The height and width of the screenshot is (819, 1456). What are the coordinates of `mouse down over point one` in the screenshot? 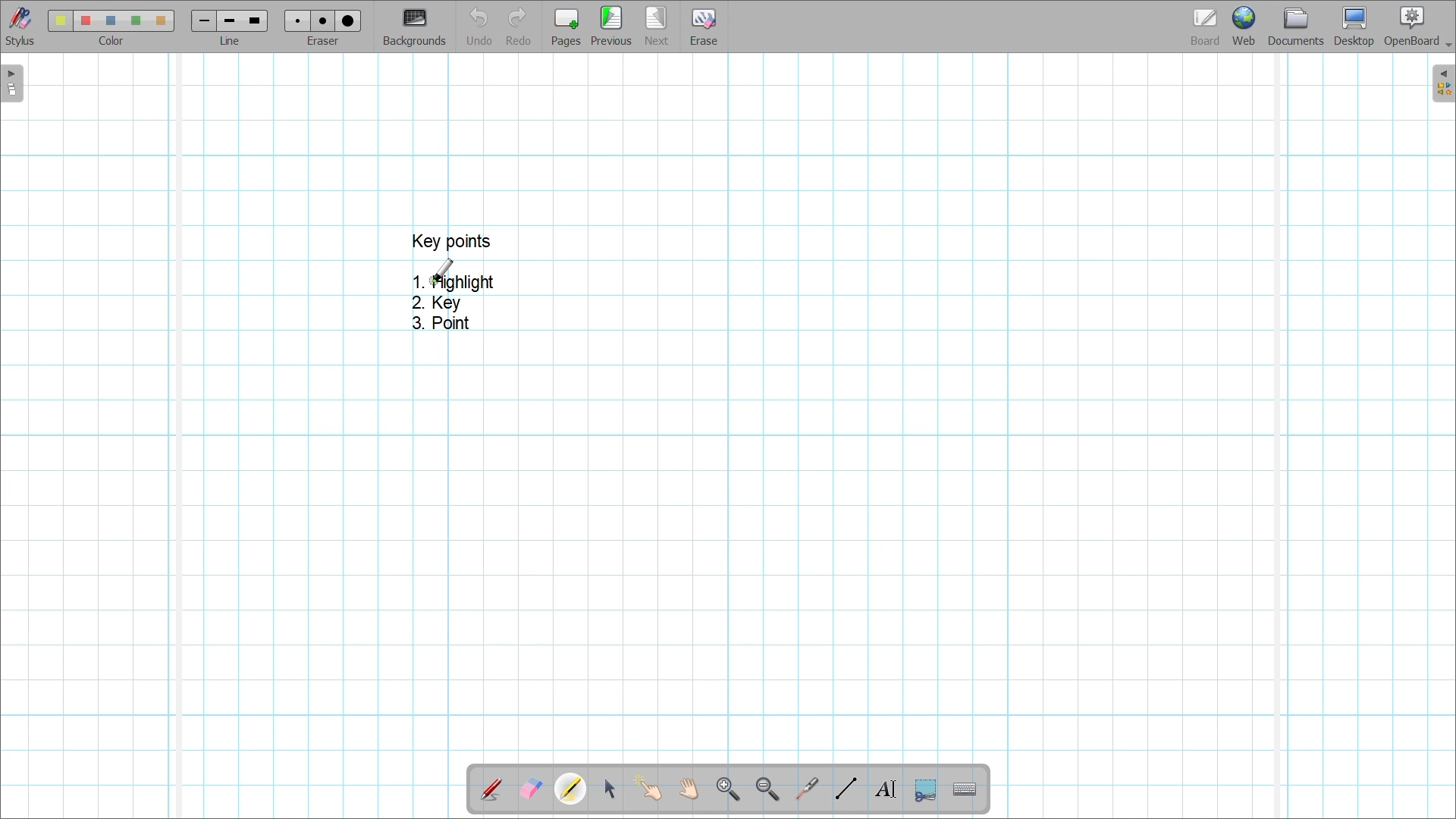 It's located at (444, 270).